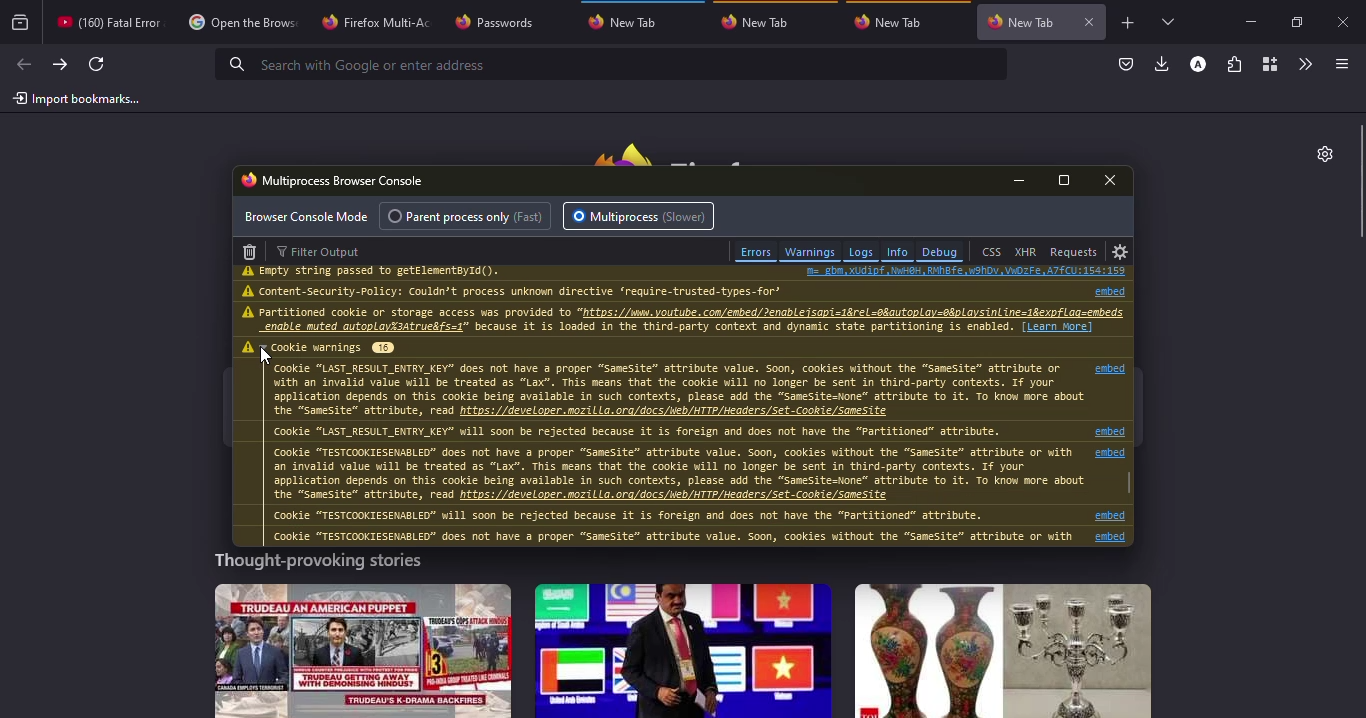 This screenshot has height=718, width=1366. I want to click on multiprocess, so click(641, 216).